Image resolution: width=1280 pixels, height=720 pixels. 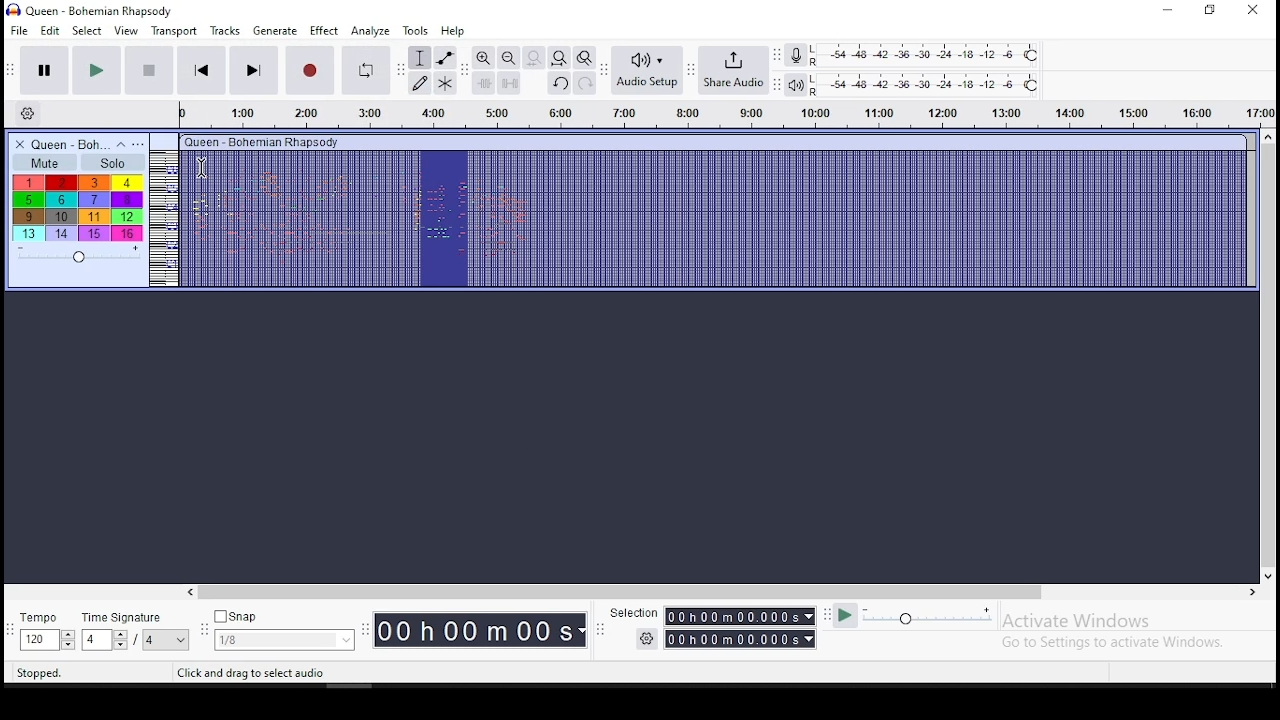 What do you see at coordinates (483, 84) in the screenshot?
I see `trim audio outside selection` at bounding box center [483, 84].